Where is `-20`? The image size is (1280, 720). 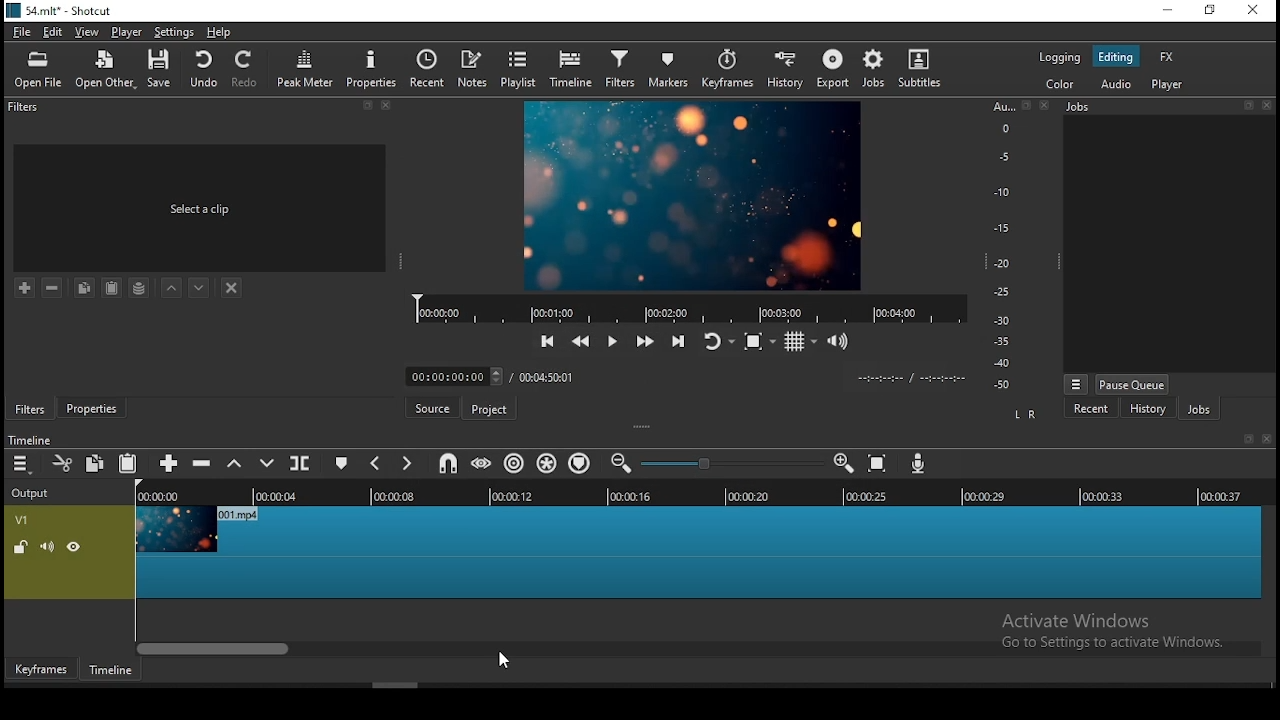
-20 is located at coordinates (1002, 263).